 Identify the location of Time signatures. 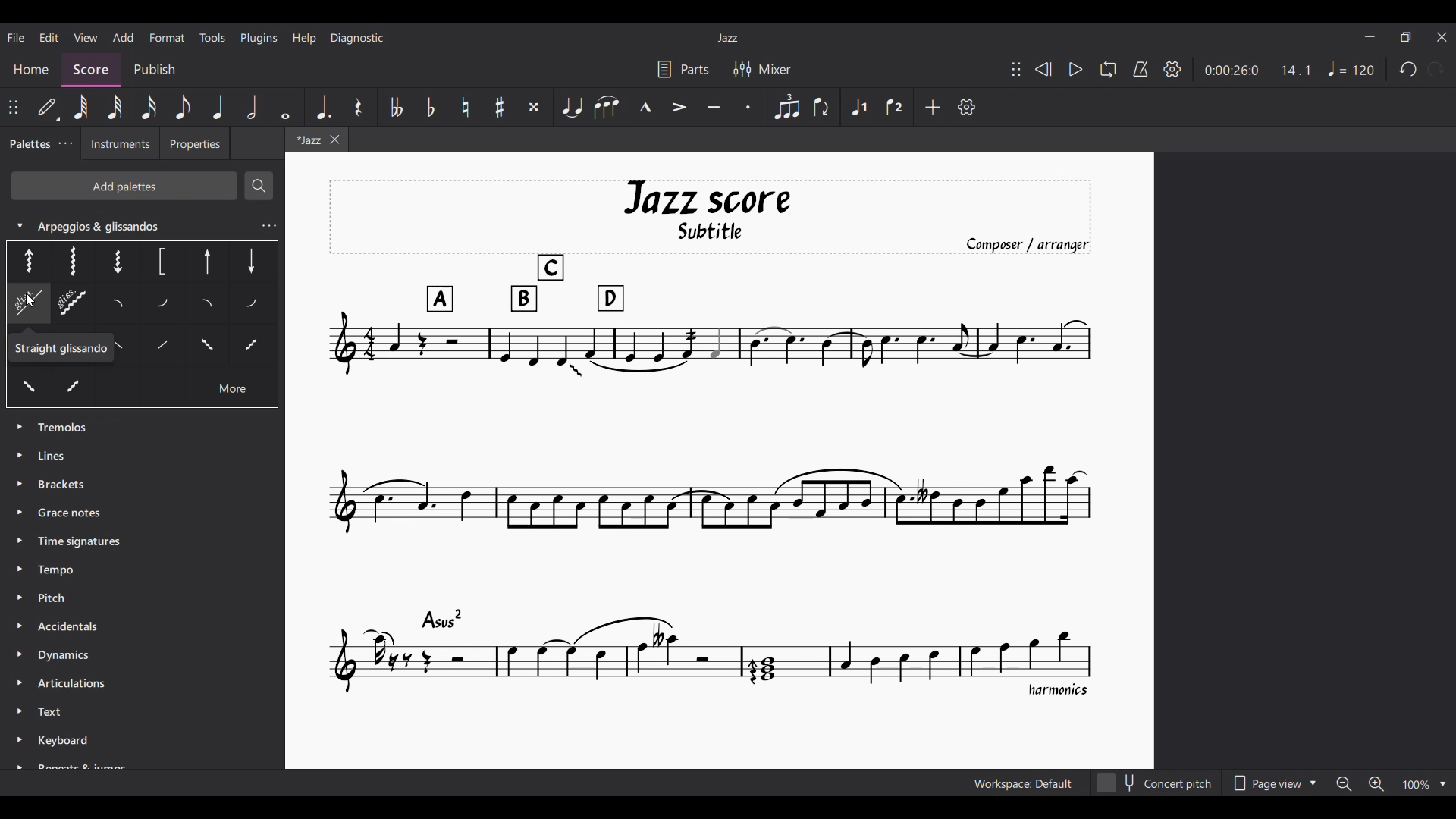
(79, 539).